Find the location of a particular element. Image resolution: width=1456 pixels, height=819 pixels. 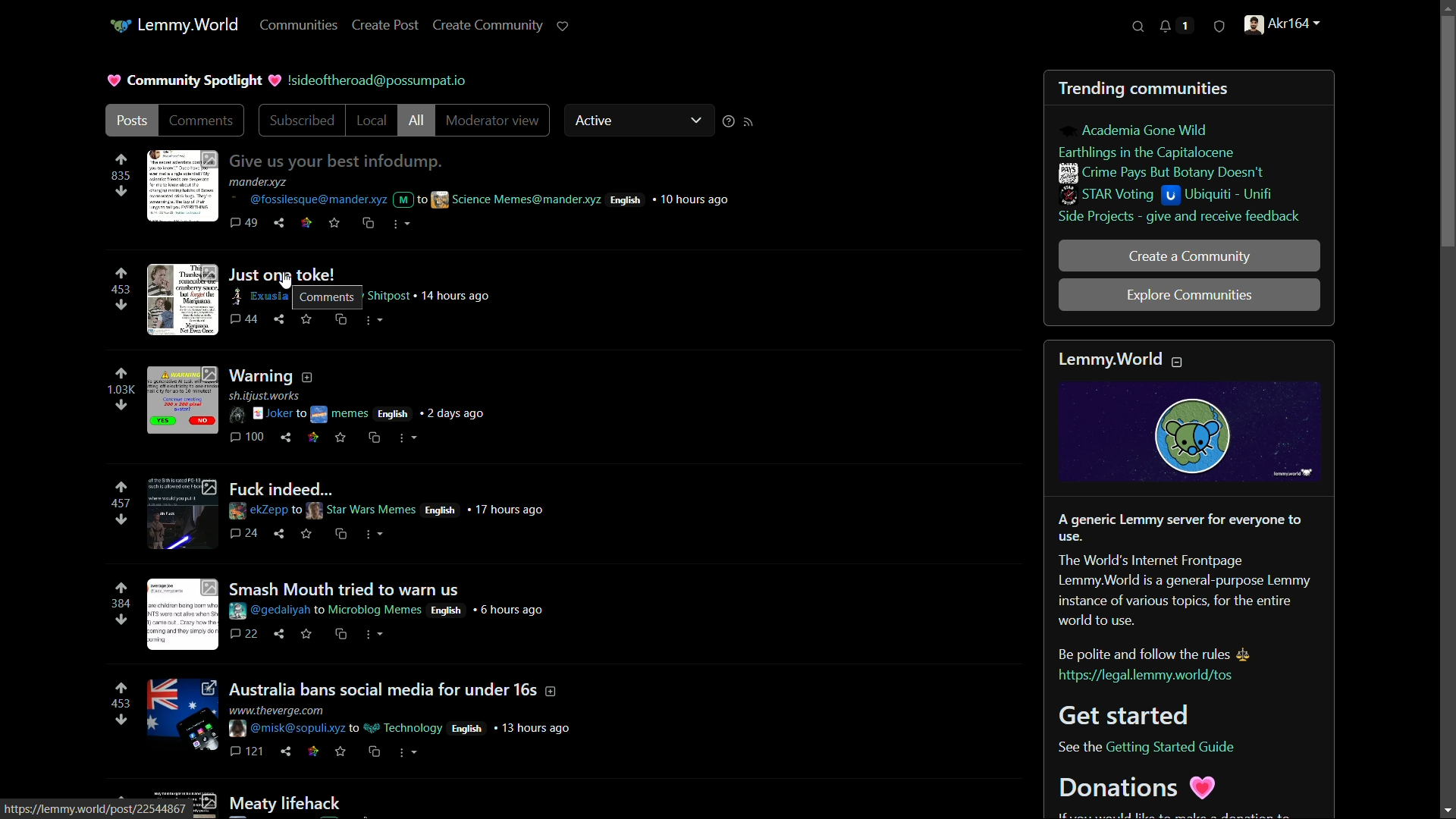

akr164 is located at coordinates (1282, 26).